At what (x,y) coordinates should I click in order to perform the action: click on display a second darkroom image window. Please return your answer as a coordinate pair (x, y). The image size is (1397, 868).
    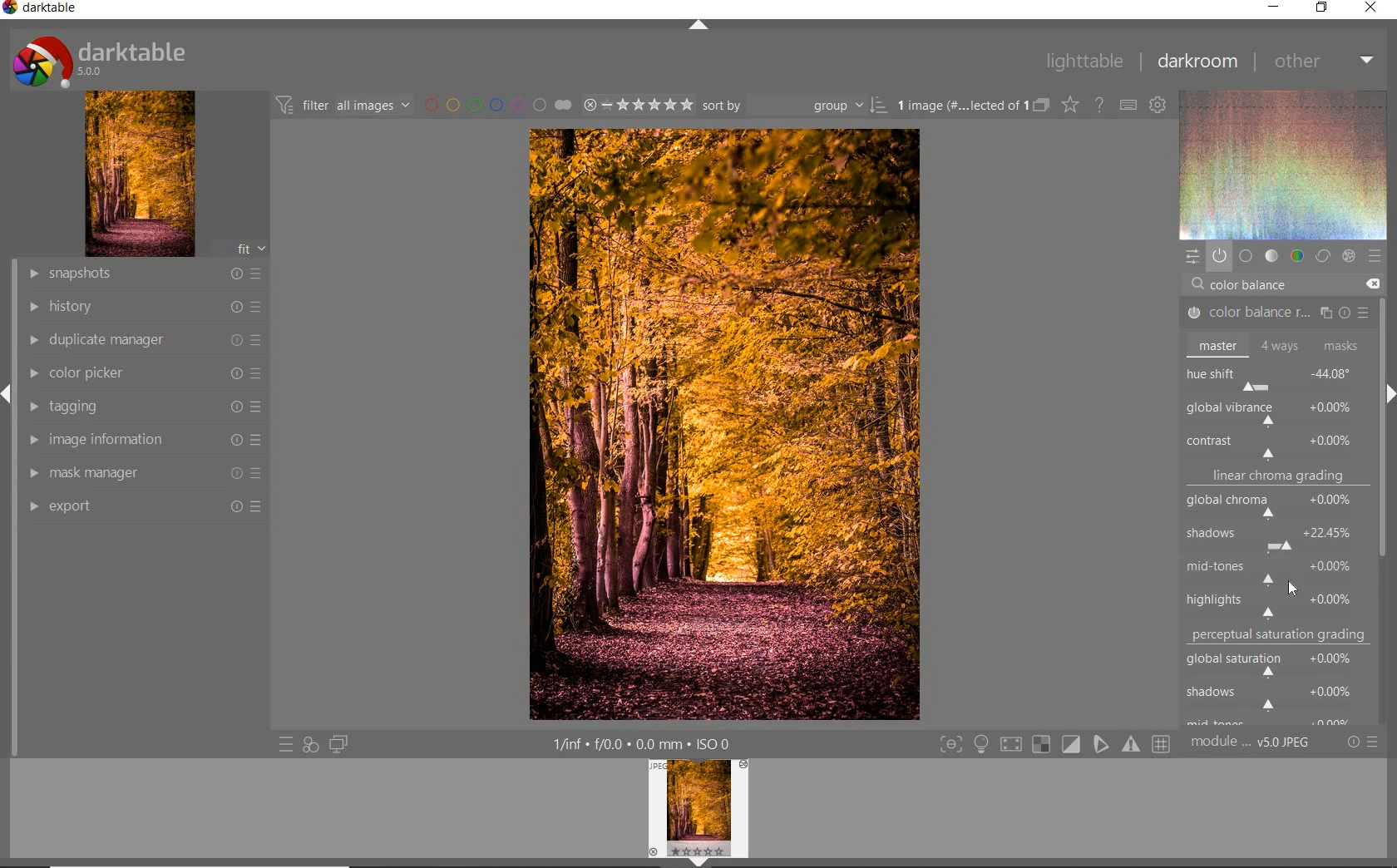
    Looking at the image, I should click on (335, 744).